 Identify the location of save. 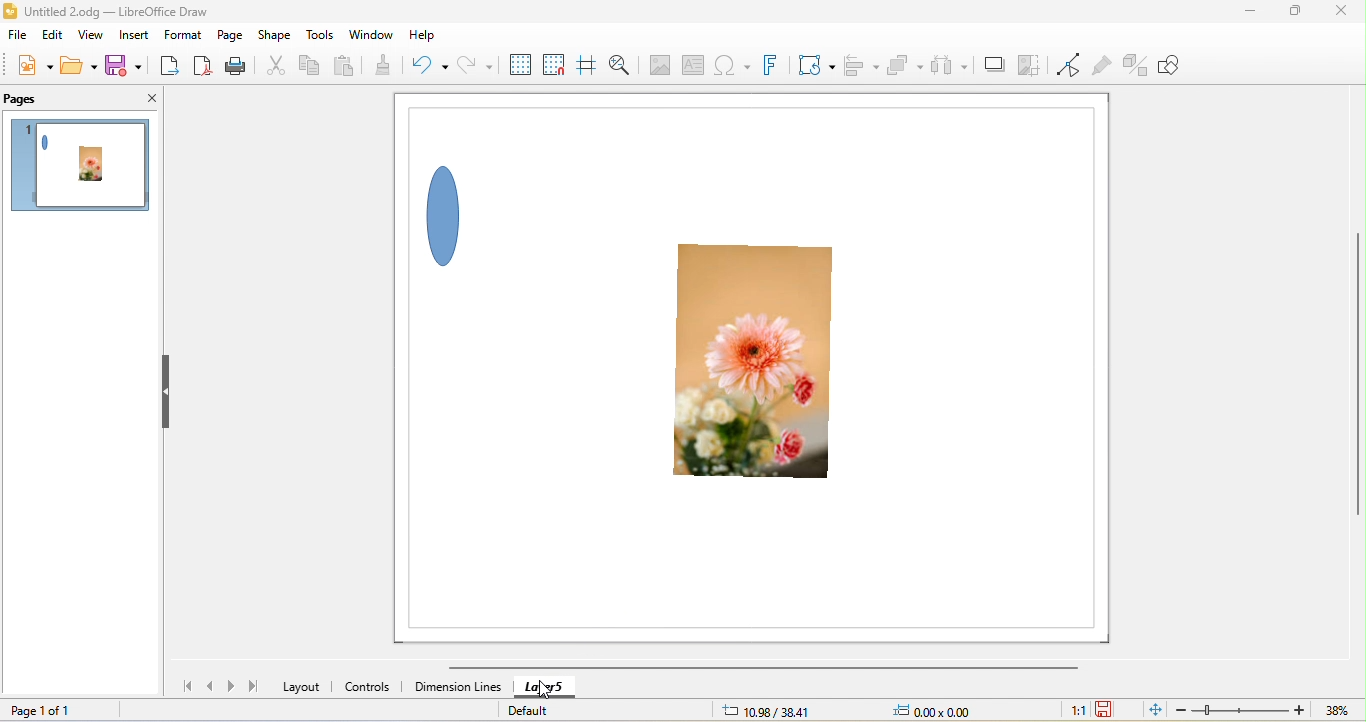
(121, 65).